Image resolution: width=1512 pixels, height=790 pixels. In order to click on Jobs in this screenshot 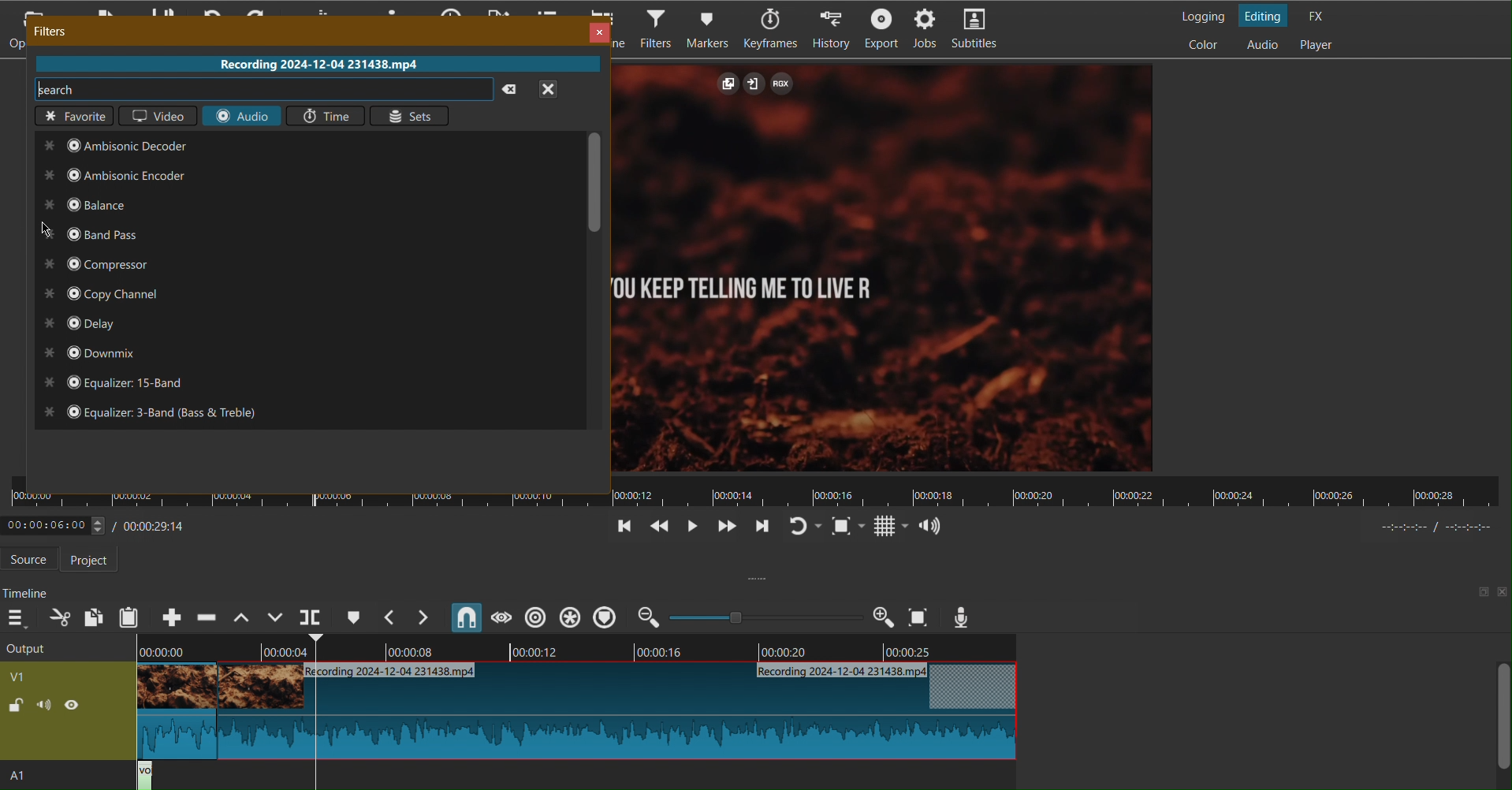, I will do `click(927, 30)`.